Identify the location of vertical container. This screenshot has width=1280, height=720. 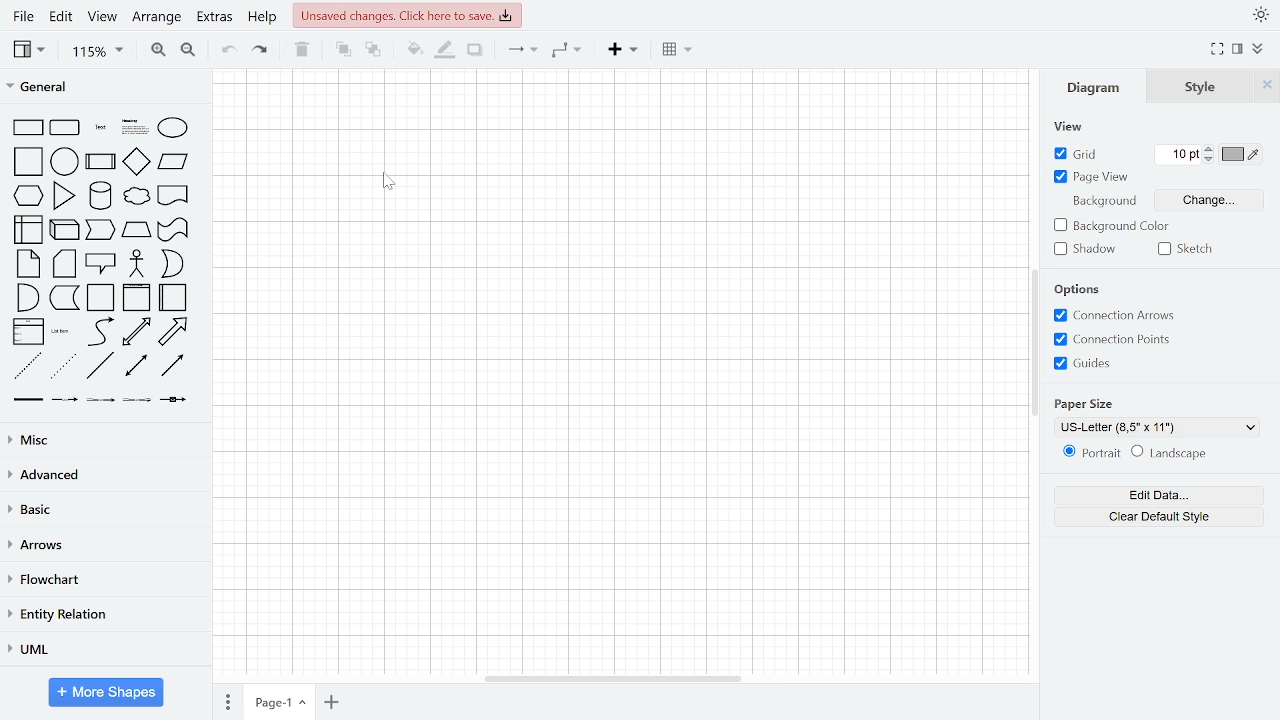
(137, 298).